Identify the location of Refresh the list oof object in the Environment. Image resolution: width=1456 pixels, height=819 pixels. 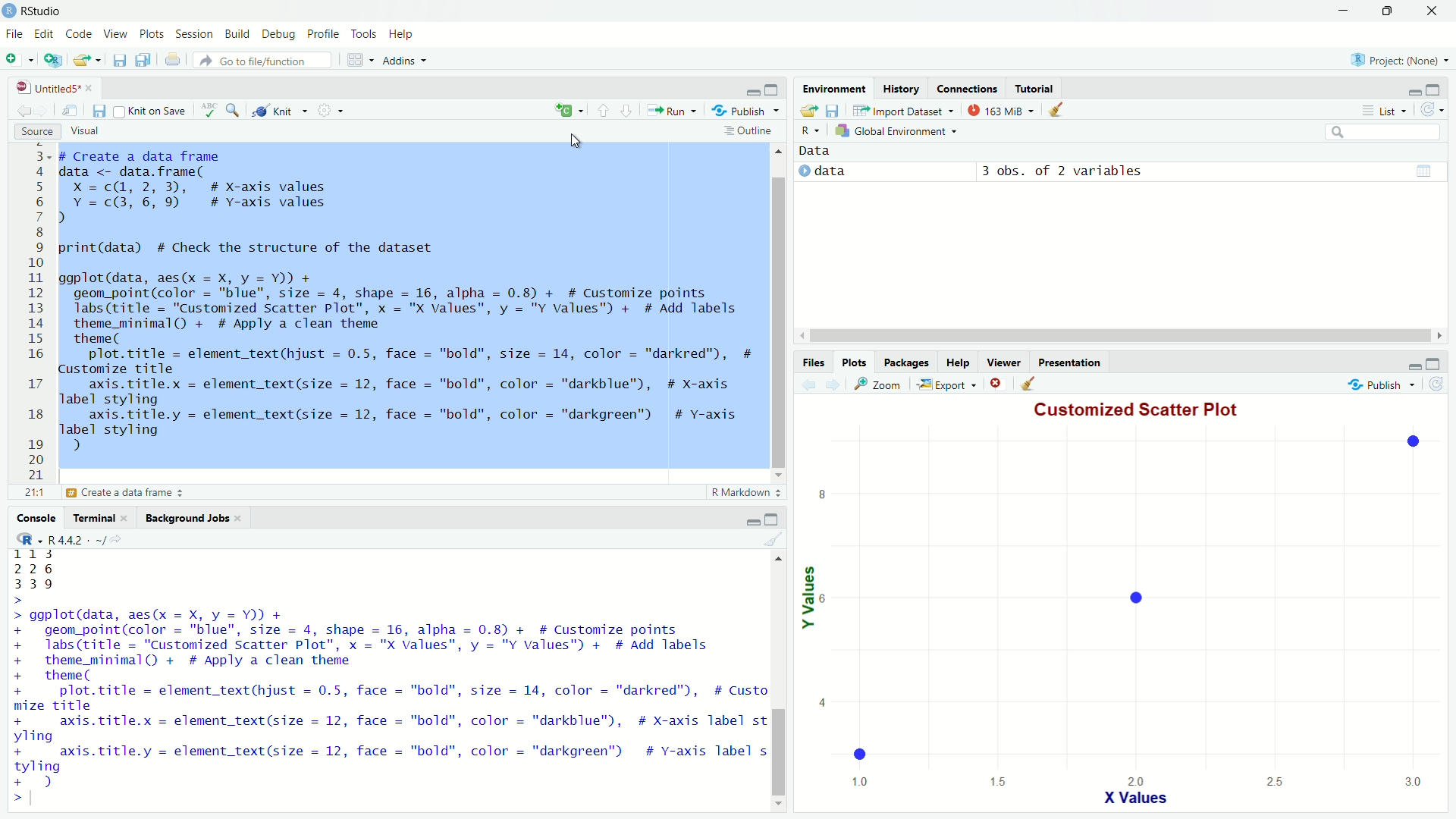
(1433, 110).